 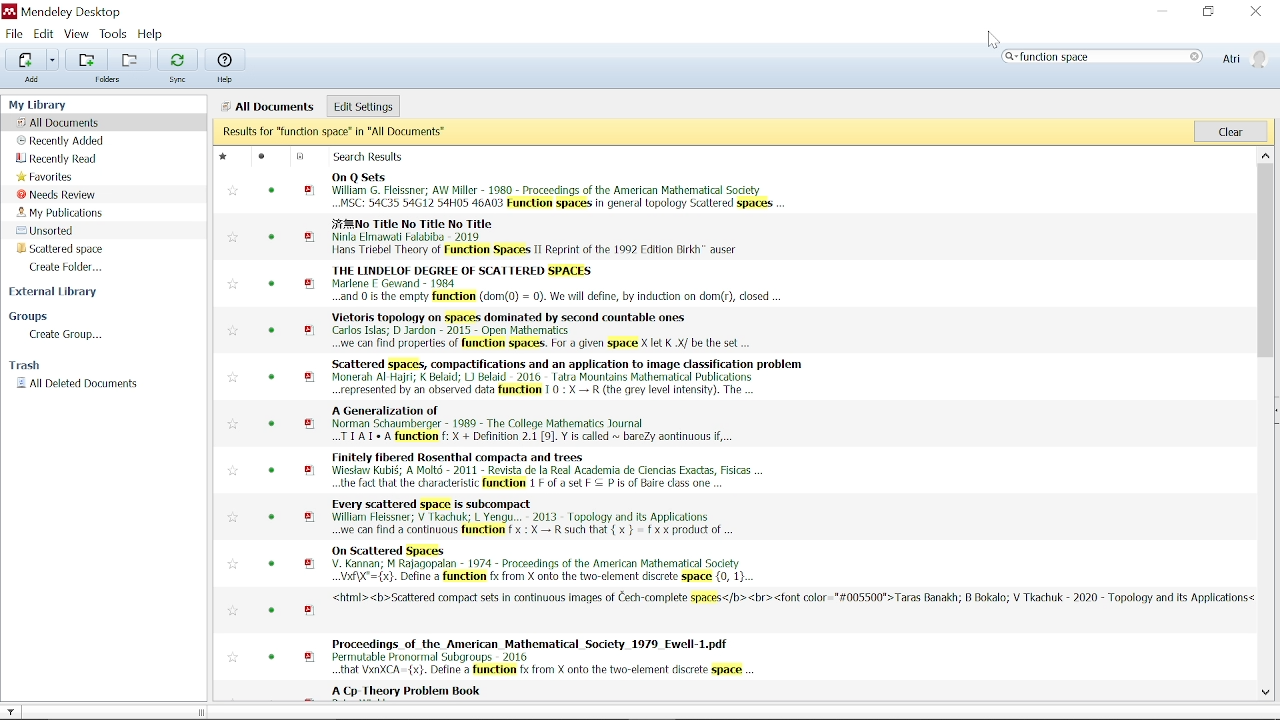 What do you see at coordinates (62, 141) in the screenshot?
I see `recently added` at bounding box center [62, 141].